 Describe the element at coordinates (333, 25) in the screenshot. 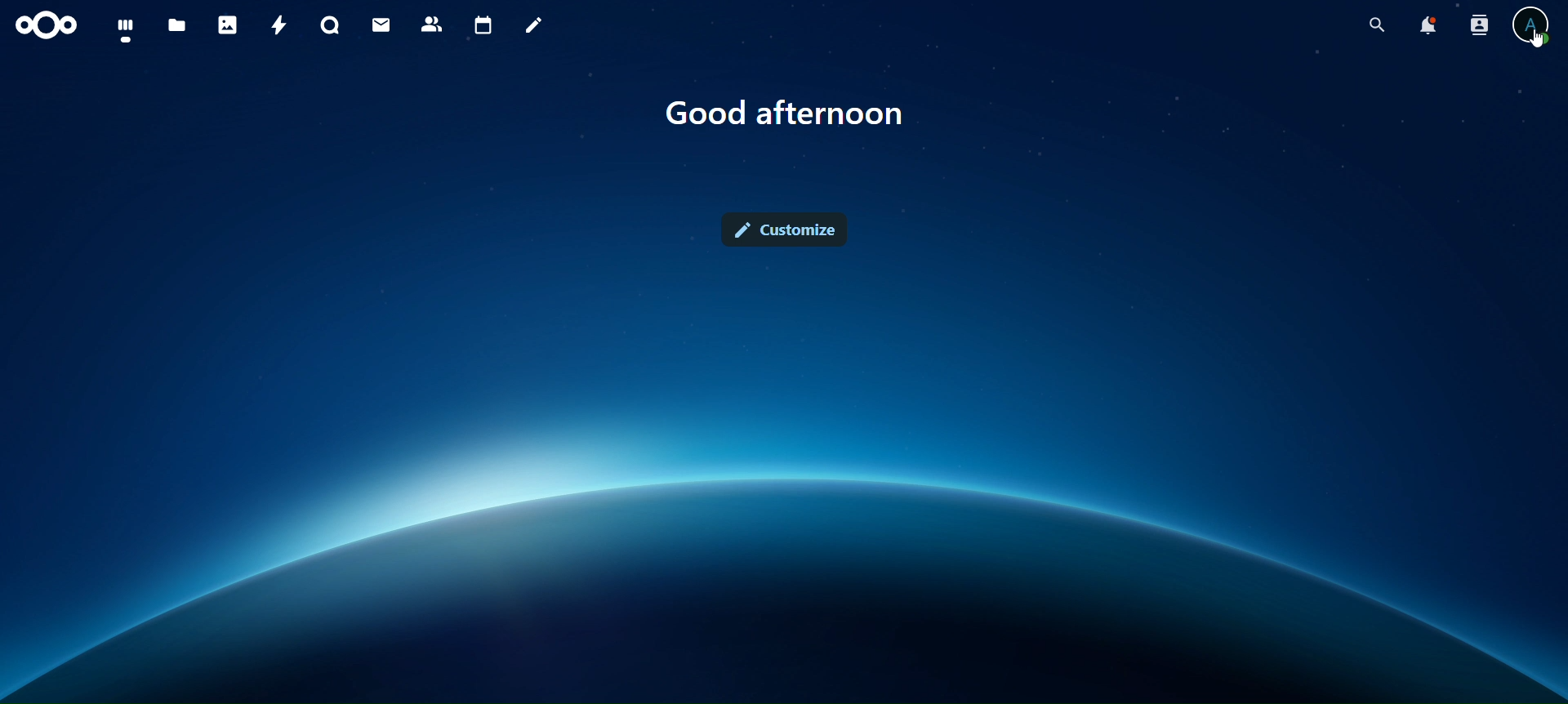

I see `talk` at that location.